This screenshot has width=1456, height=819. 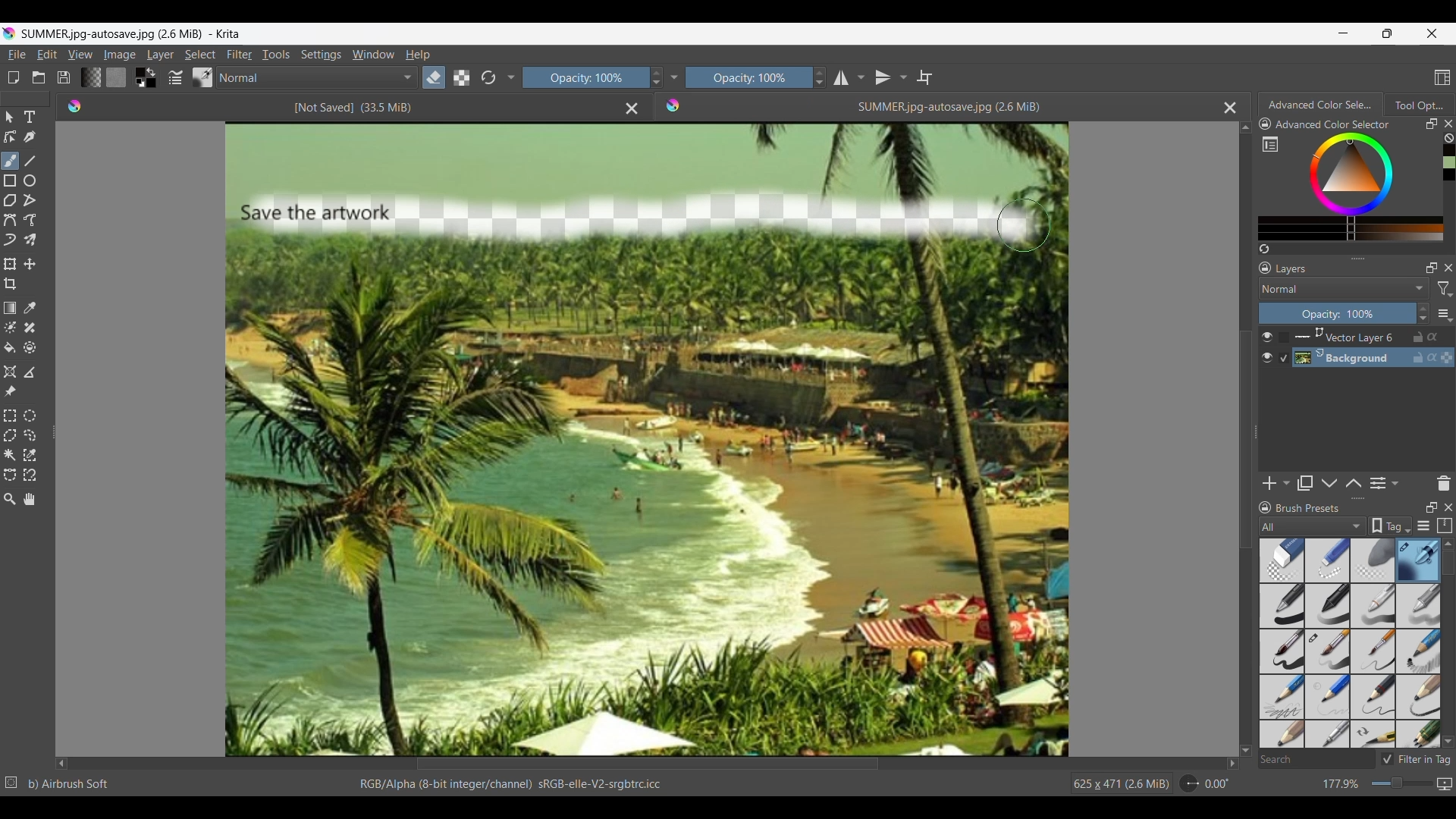 What do you see at coordinates (91, 77) in the screenshot?
I see `Fill gradients` at bounding box center [91, 77].